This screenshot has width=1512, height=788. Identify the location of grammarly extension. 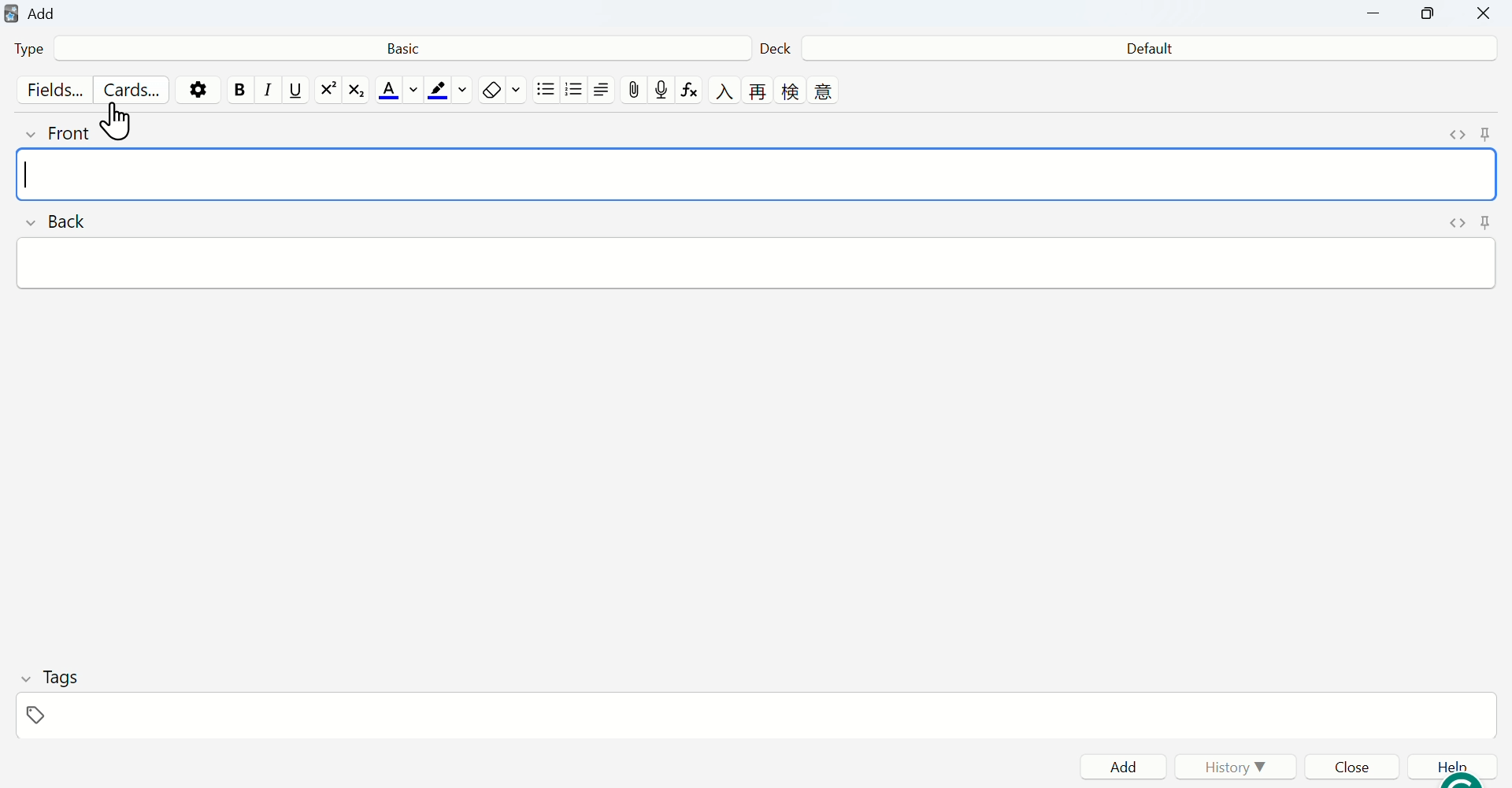
(1460, 779).